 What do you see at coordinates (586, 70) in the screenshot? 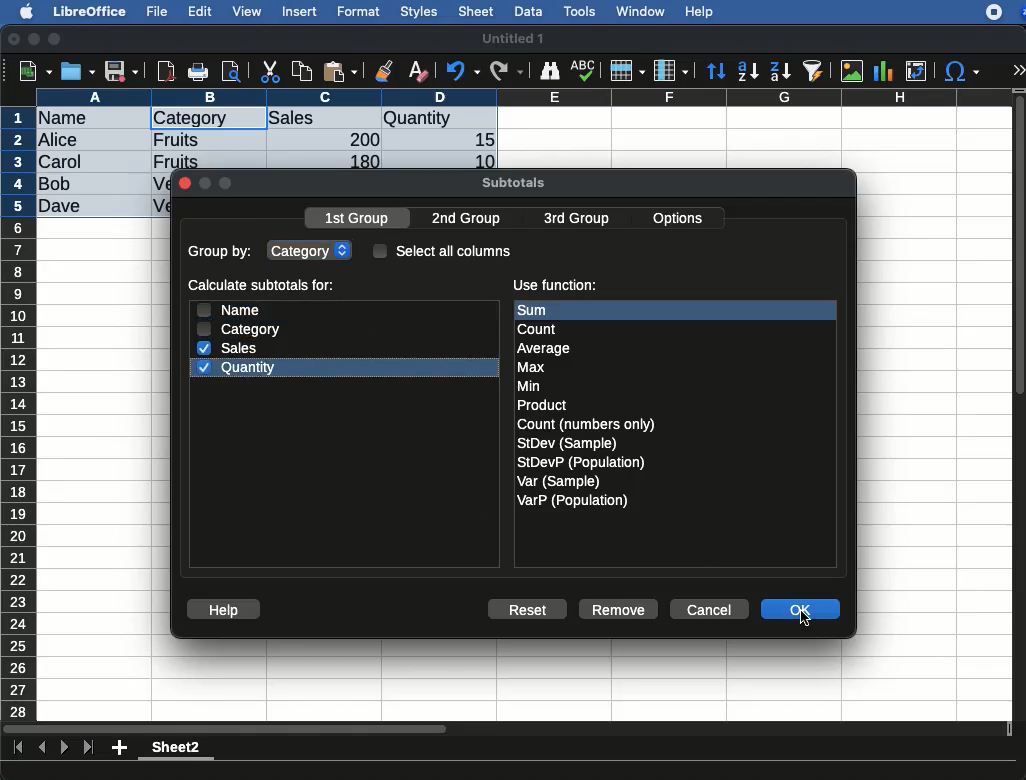
I see `spell check` at bounding box center [586, 70].